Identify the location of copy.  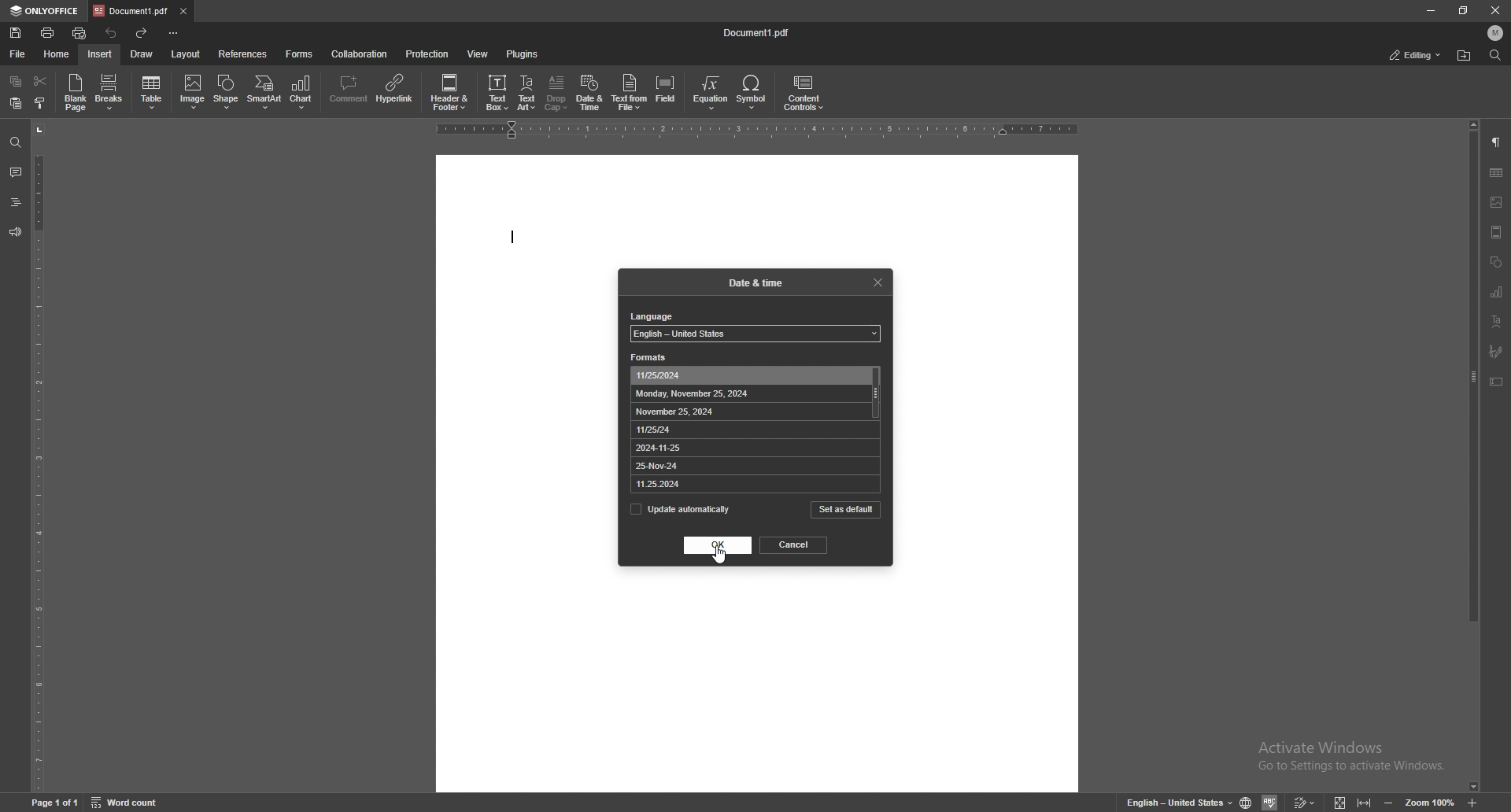
(17, 80).